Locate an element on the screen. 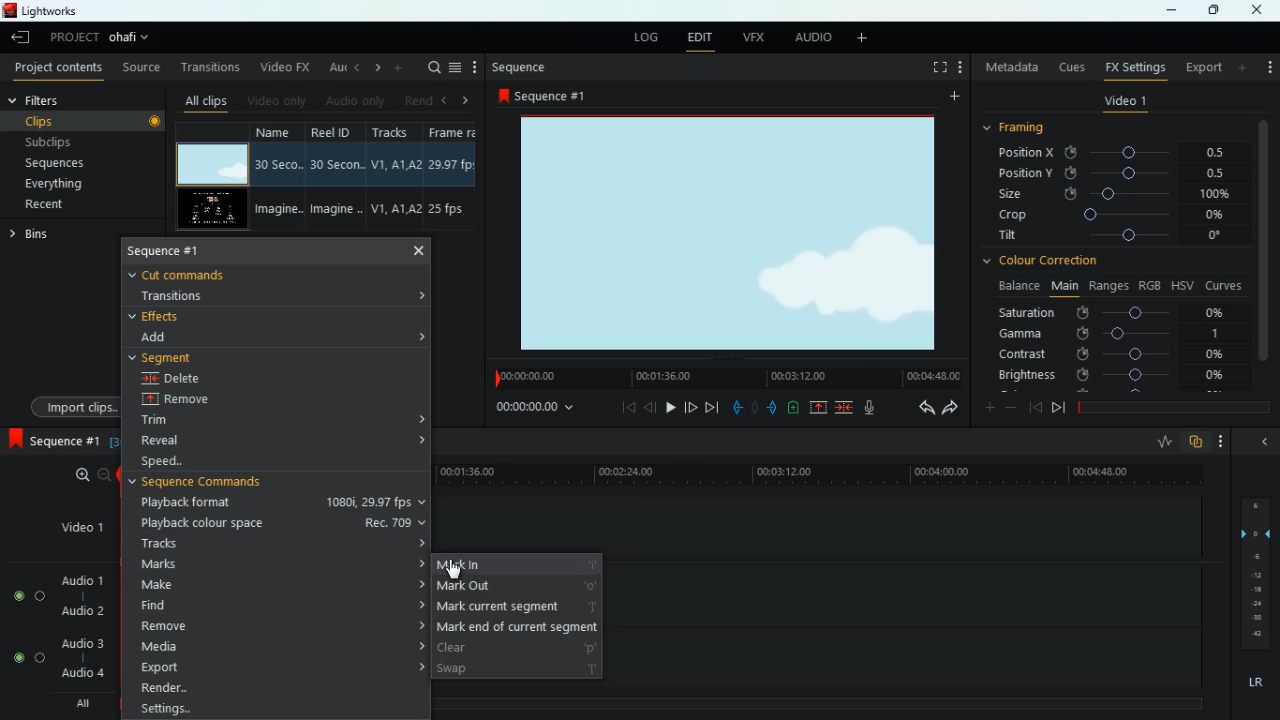  sequence #1 is located at coordinates (544, 97).